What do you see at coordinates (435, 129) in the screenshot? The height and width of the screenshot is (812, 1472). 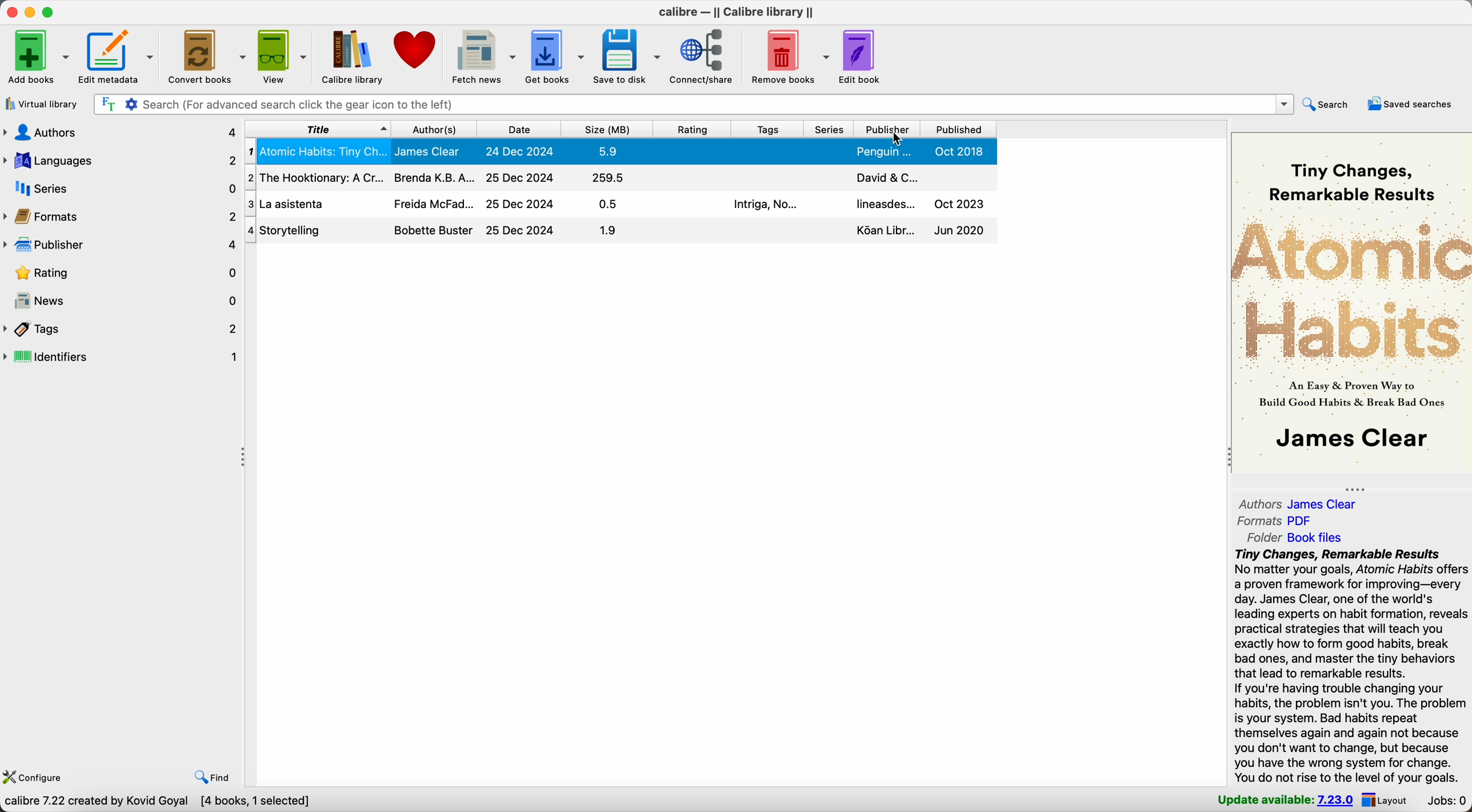 I see `authors` at bounding box center [435, 129].